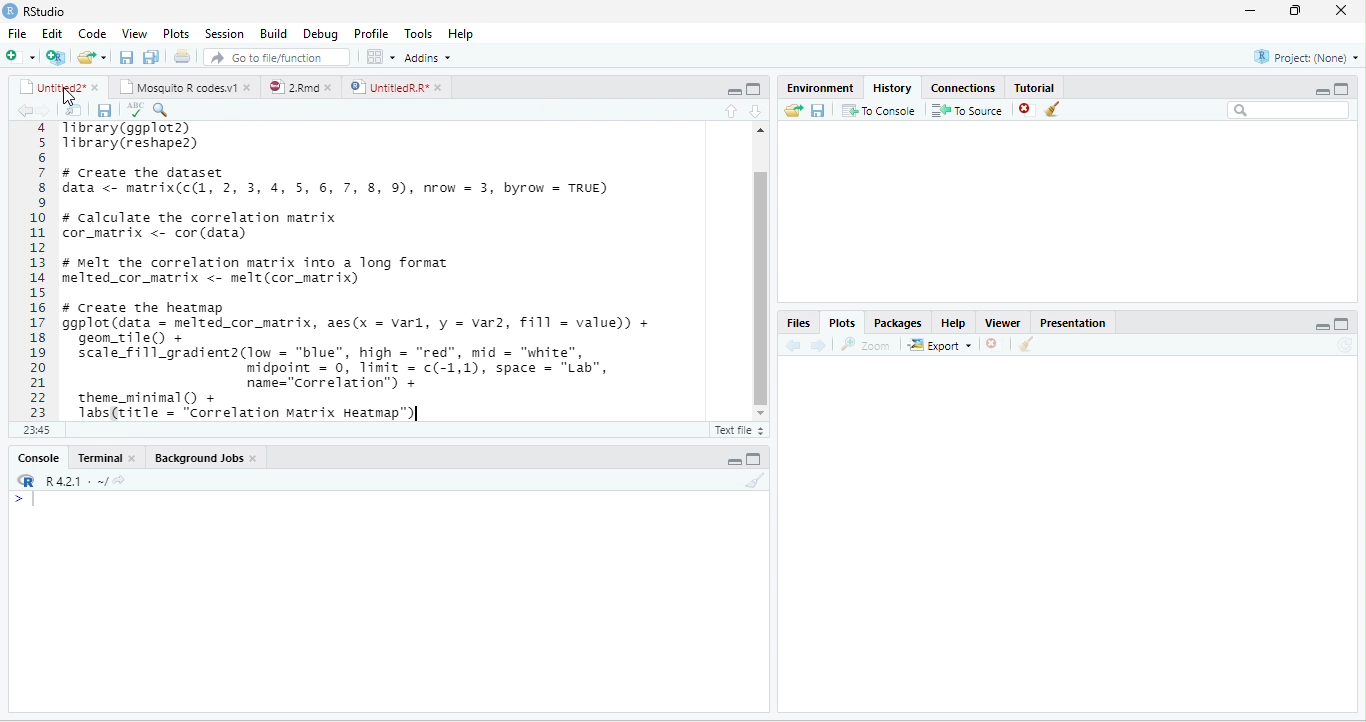 The width and height of the screenshot is (1366, 722). I want to click on RStudio, so click(48, 12).